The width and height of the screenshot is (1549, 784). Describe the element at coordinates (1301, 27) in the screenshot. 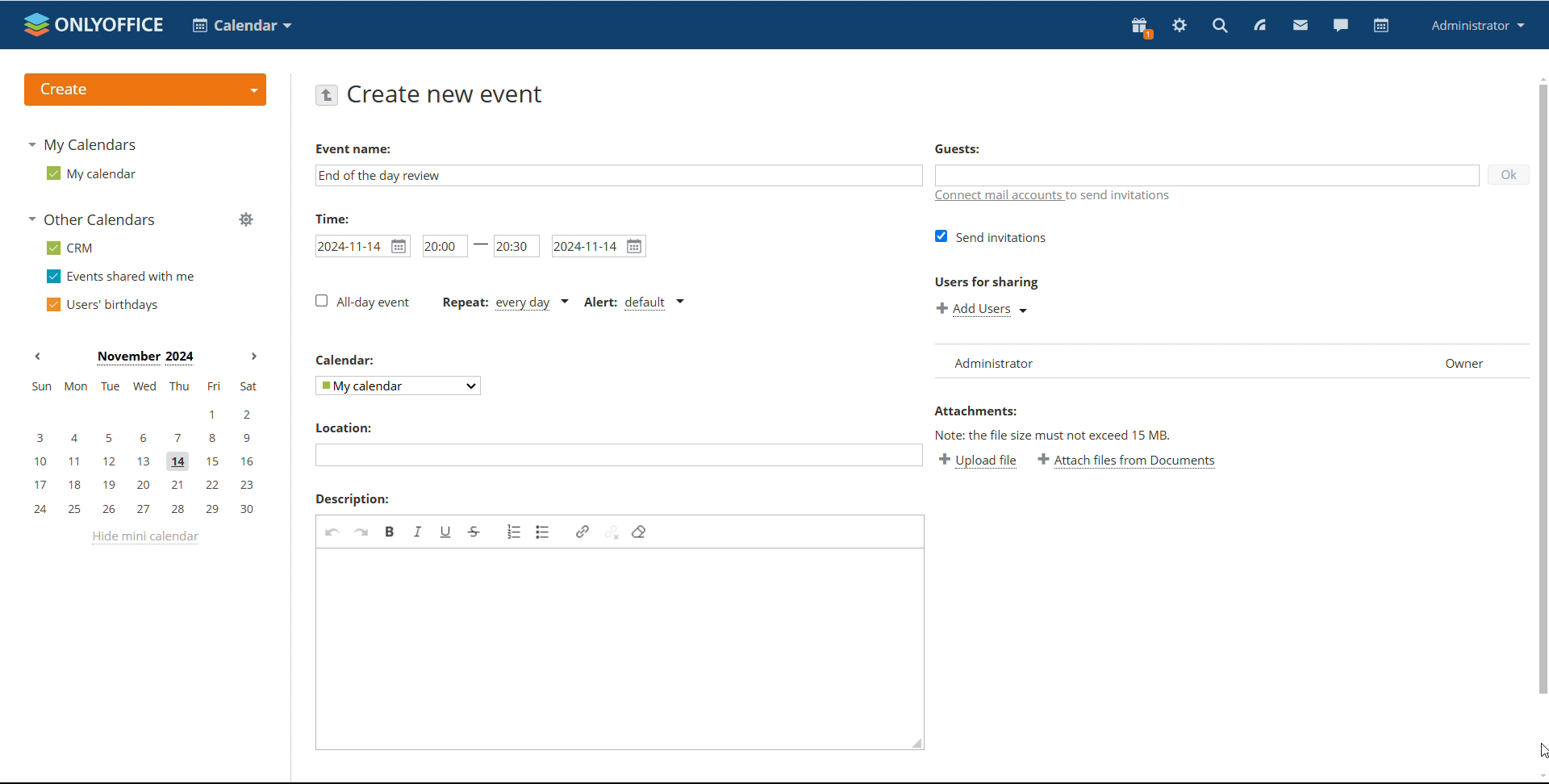

I see `mail` at that location.